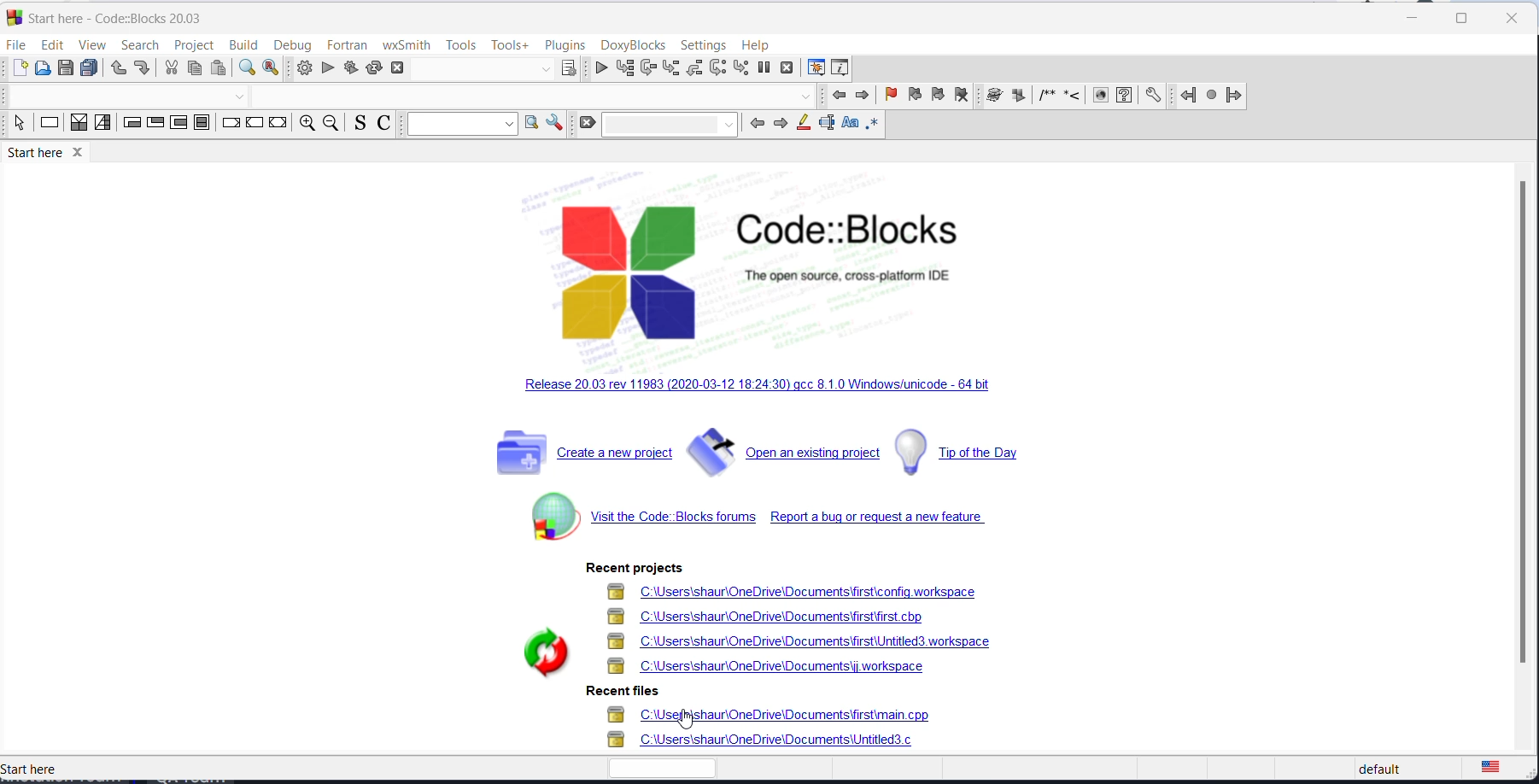 The image size is (1539, 784). Describe the element at coordinates (936, 96) in the screenshot. I see `next bookmark` at that location.